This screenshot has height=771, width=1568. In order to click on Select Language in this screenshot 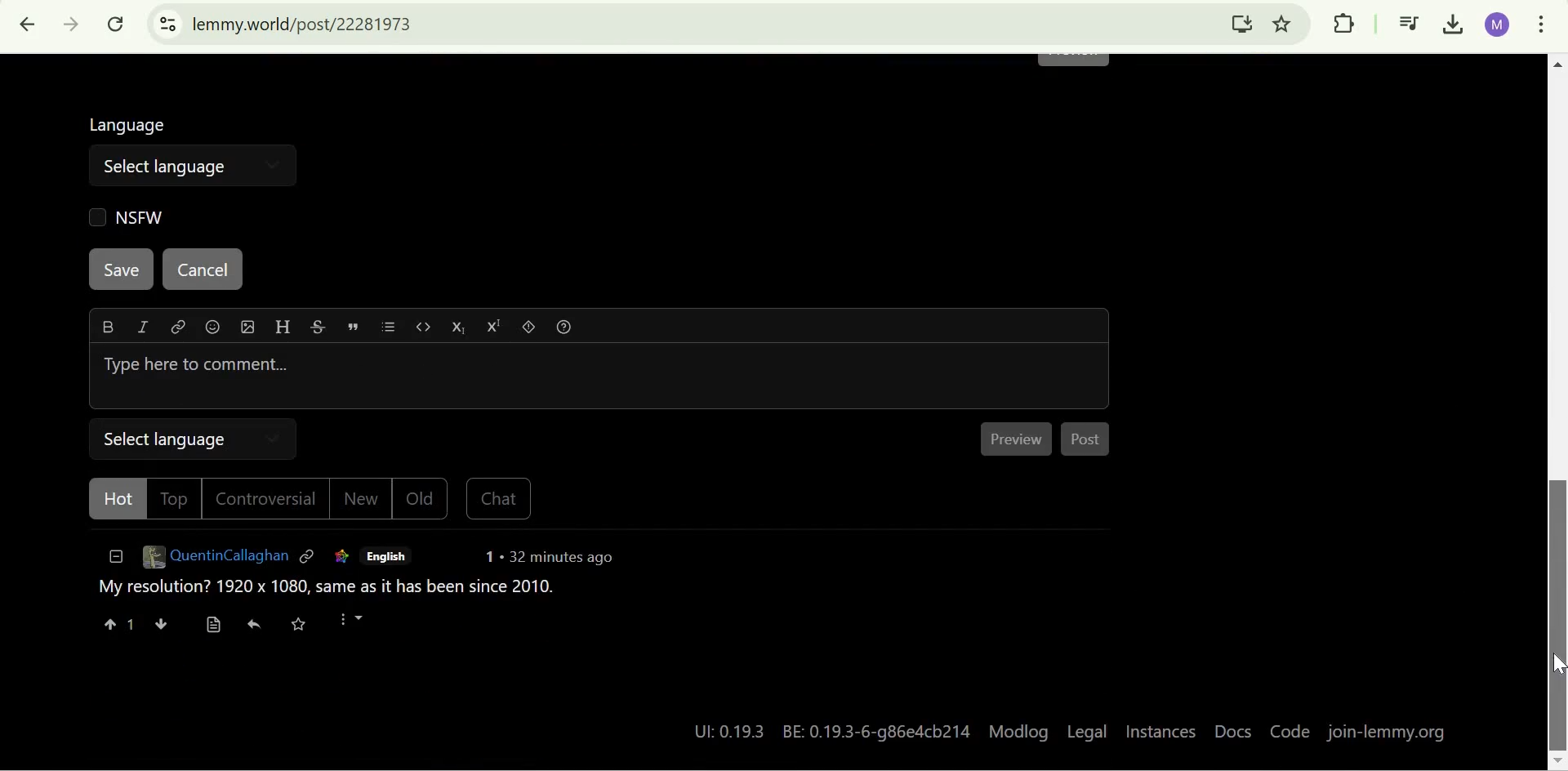, I will do `click(198, 438)`.